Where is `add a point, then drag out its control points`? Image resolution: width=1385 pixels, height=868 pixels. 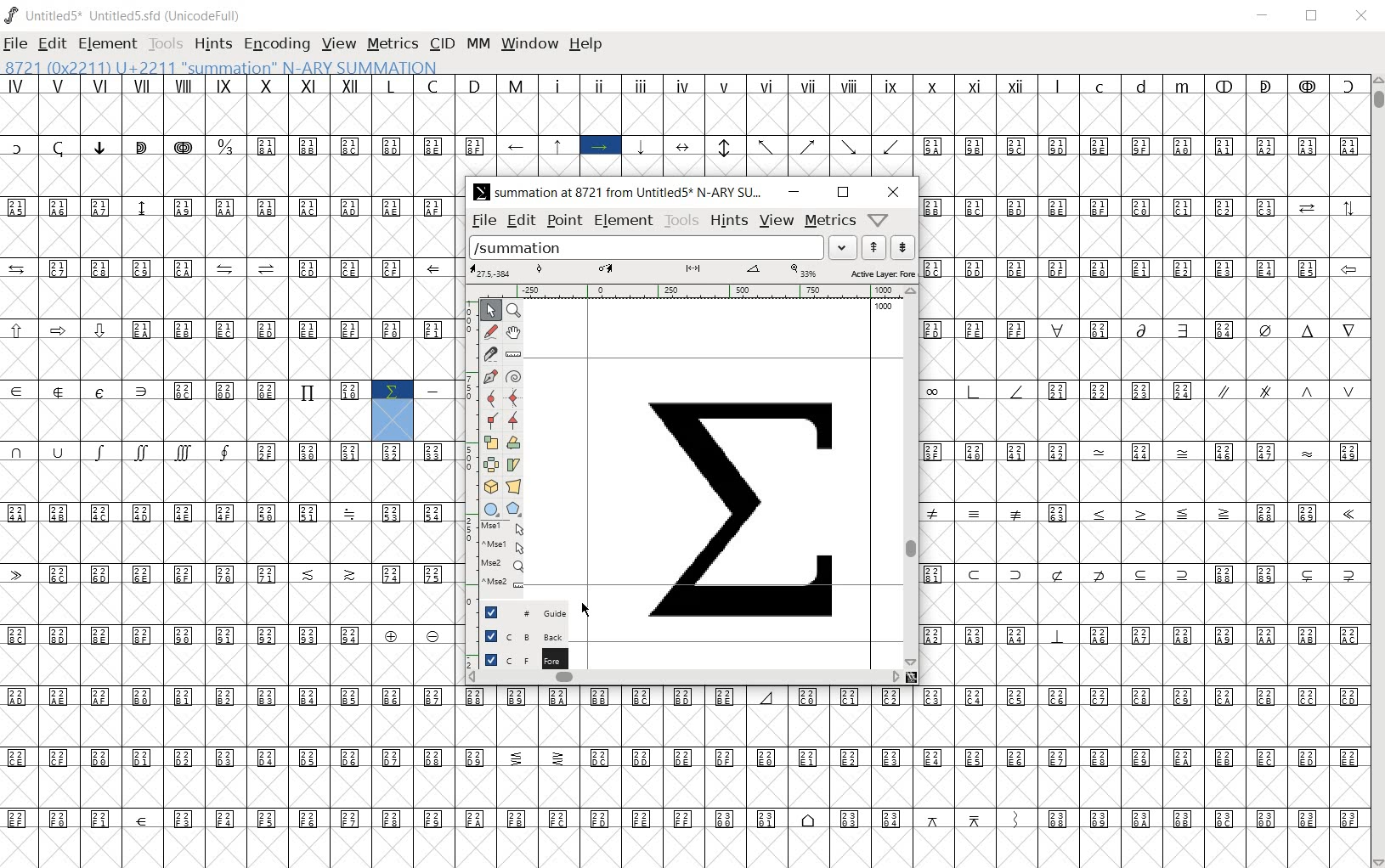
add a point, then drag out its control points is located at coordinates (490, 375).